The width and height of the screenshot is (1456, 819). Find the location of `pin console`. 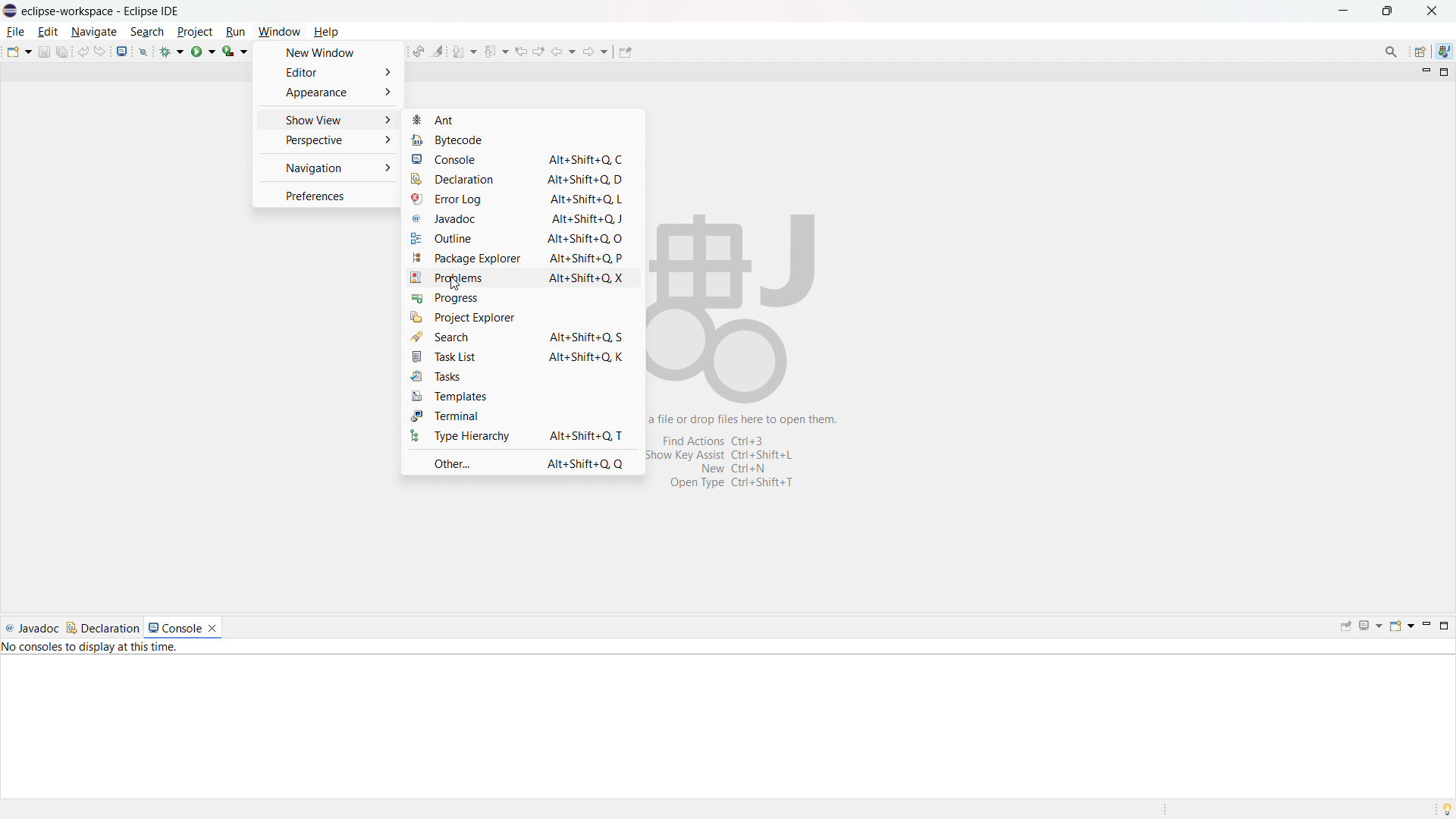

pin console is located at coordinates (1345, 627).